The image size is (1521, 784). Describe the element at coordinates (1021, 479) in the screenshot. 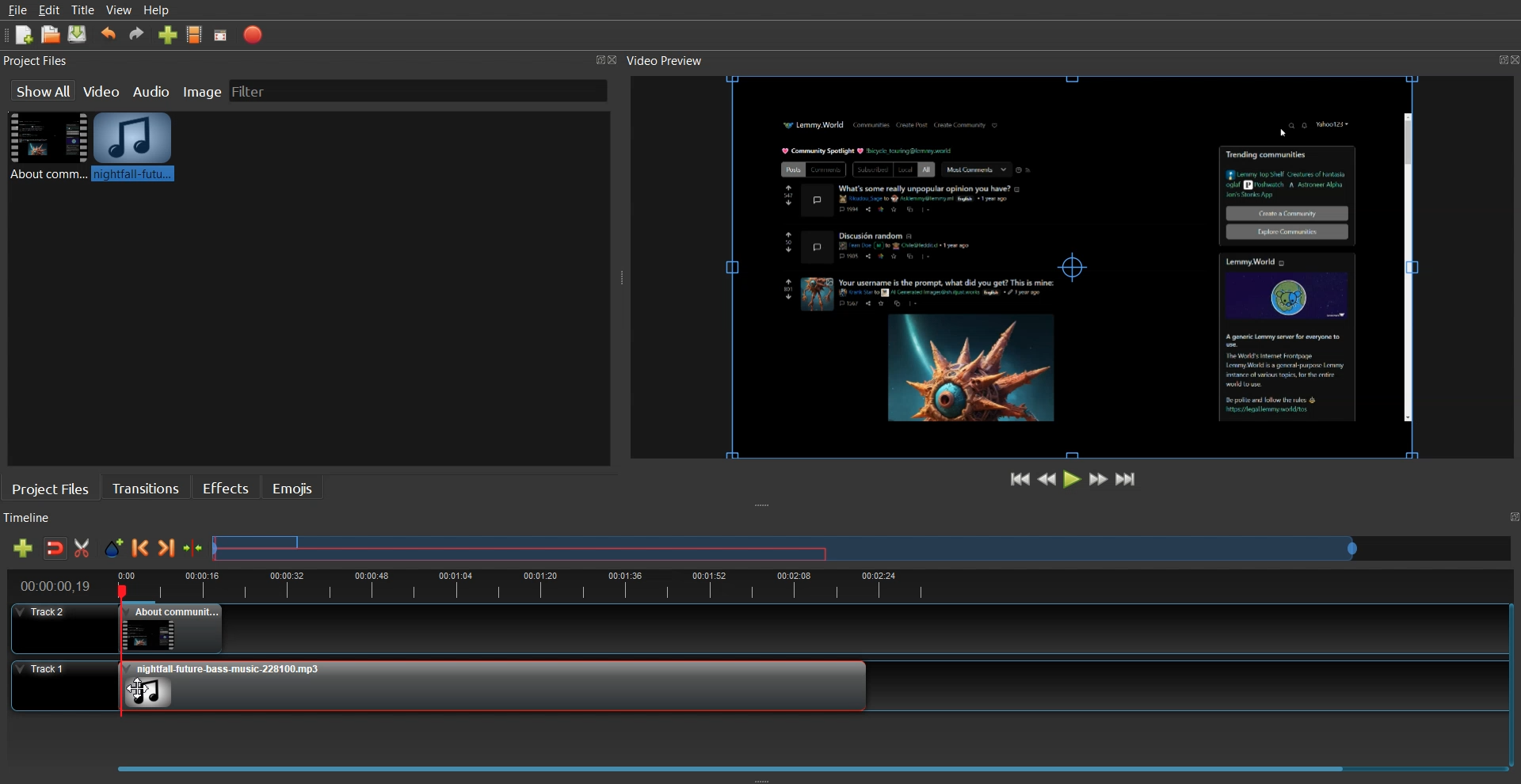

I see `Jump to Start` at that location.